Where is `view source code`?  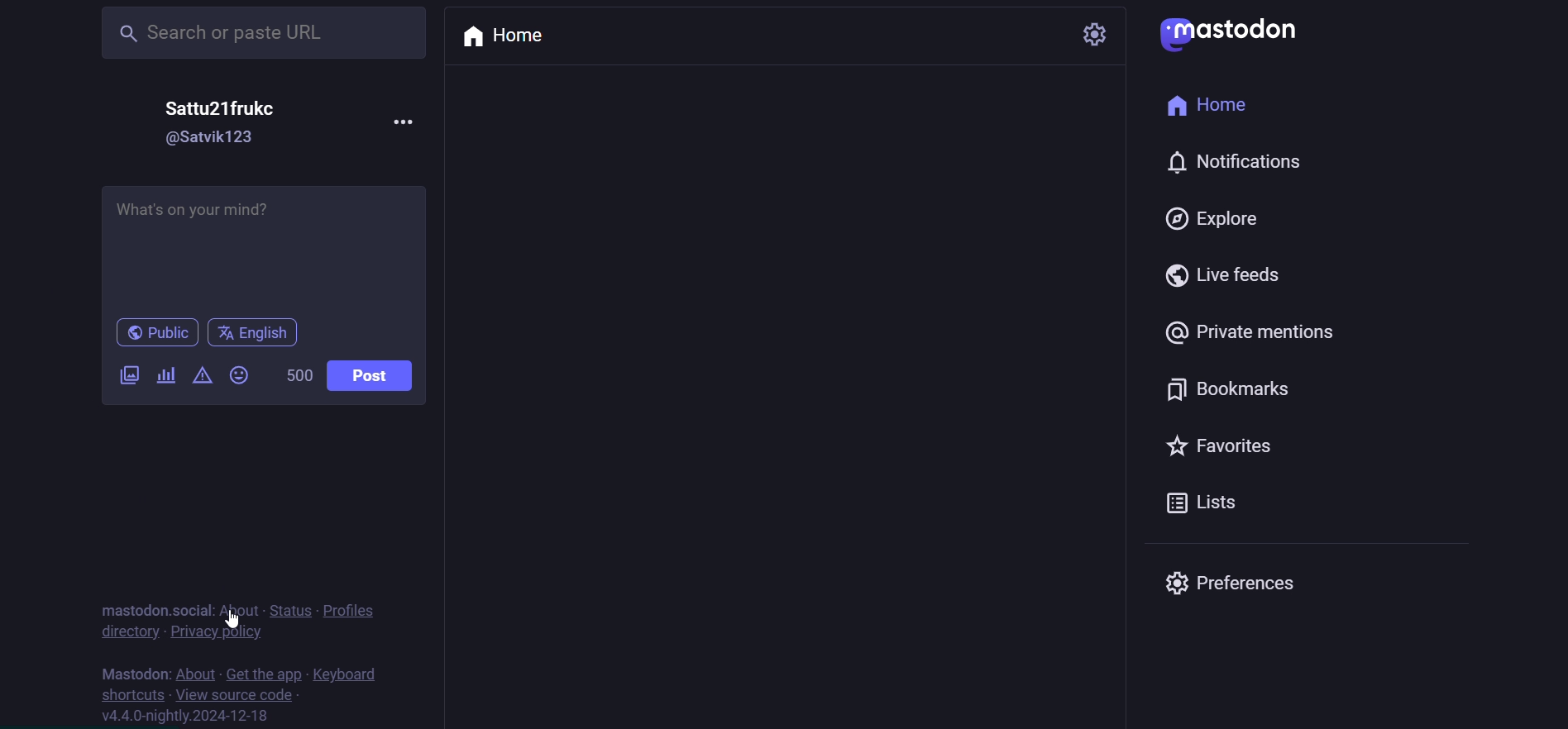
view source code is located at coordinates (234, 694).